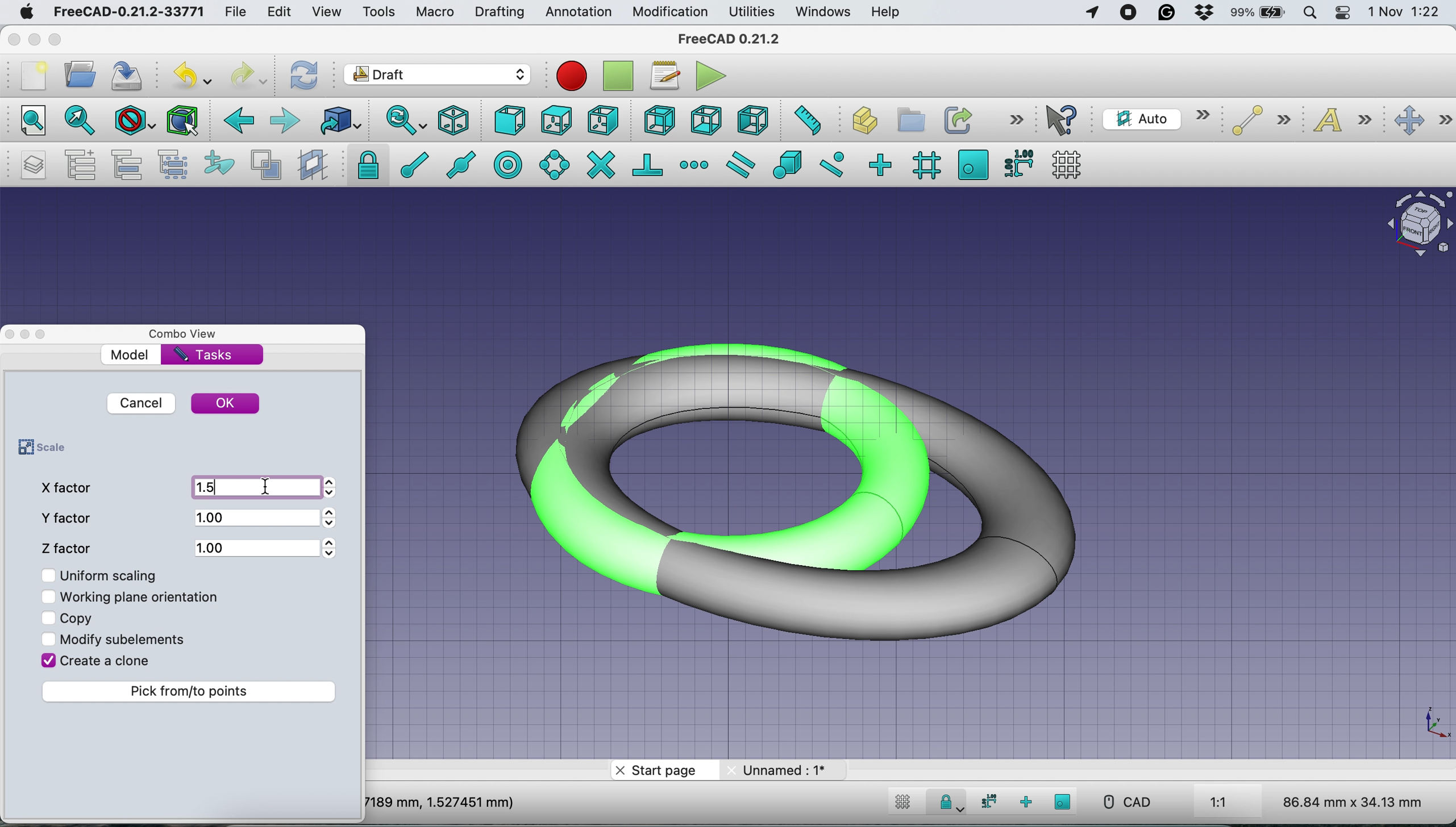 The height and width of the screenshot is (827, 1456). I want to click on isometric, so click(455, 120).